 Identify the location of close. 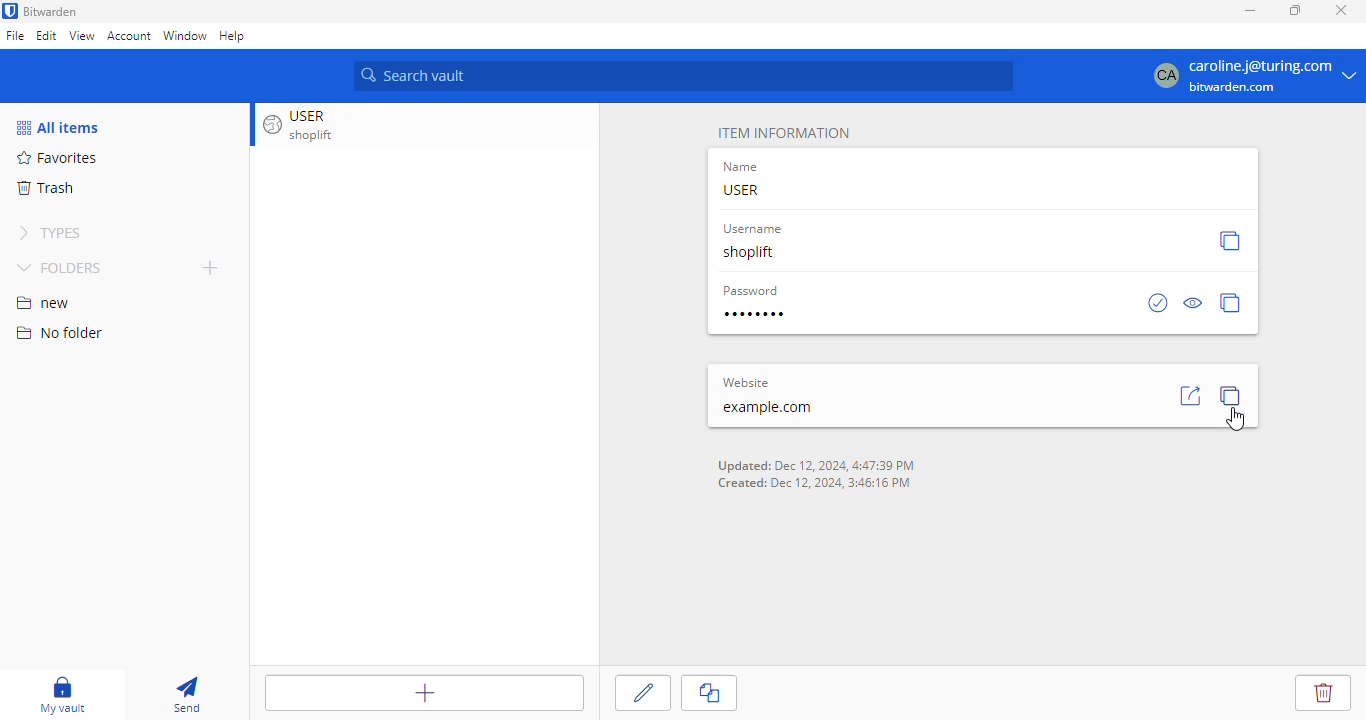
(1346, 10).